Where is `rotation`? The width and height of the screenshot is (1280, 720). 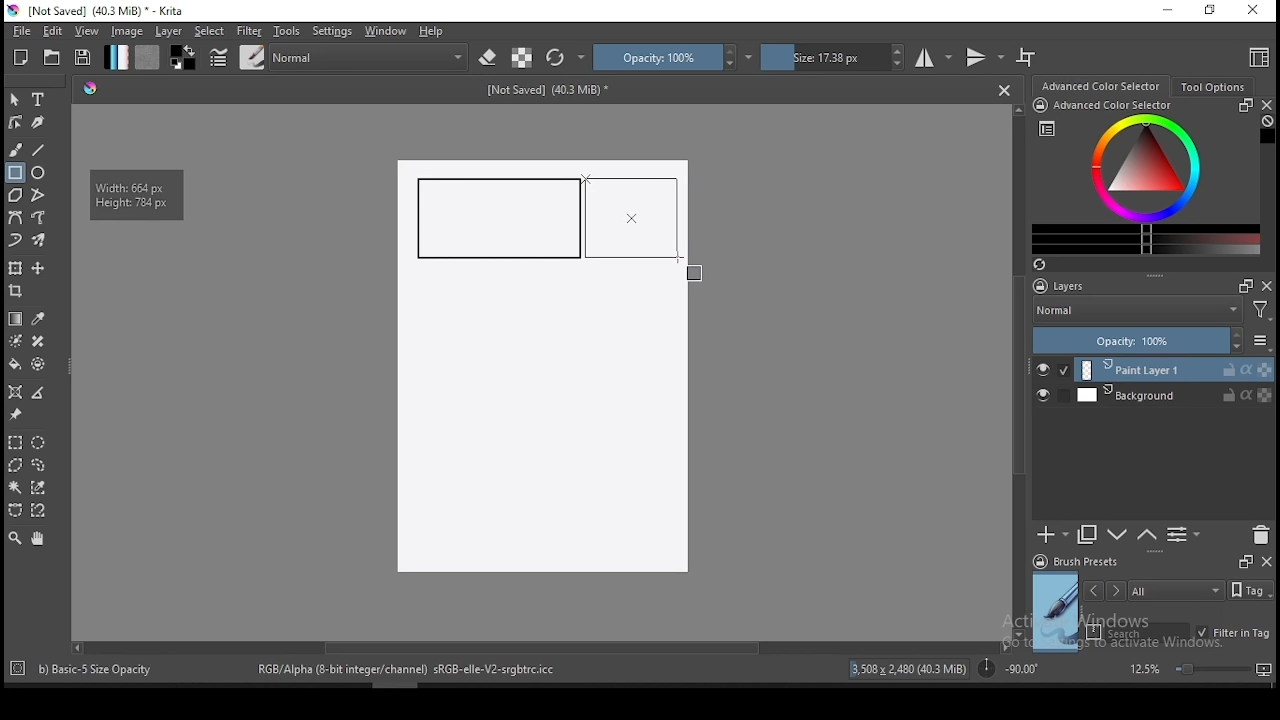
rotation is located at coordinates (1008, 667).